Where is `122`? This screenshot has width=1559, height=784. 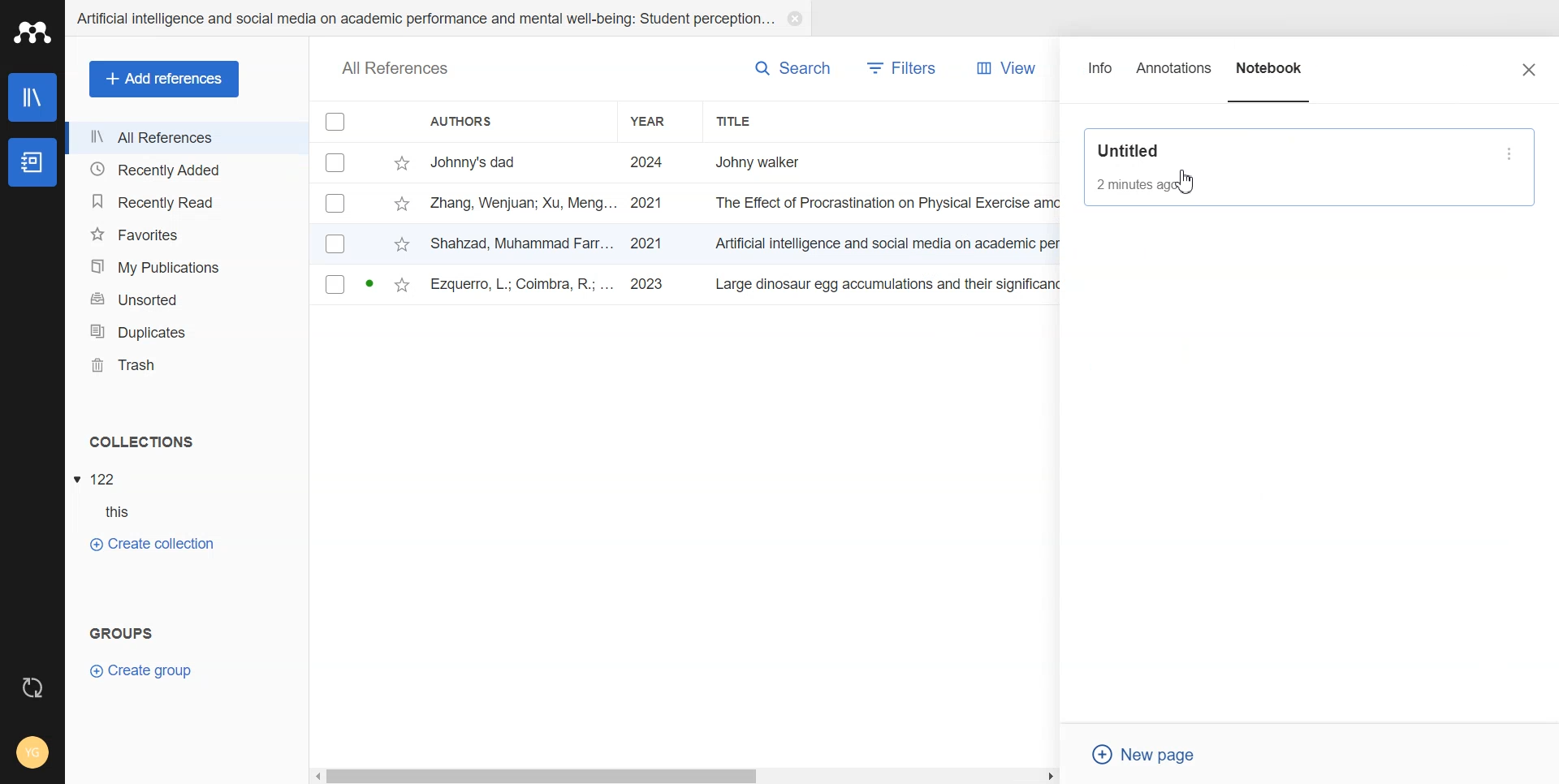
122 is located at coordinates (105, 480).